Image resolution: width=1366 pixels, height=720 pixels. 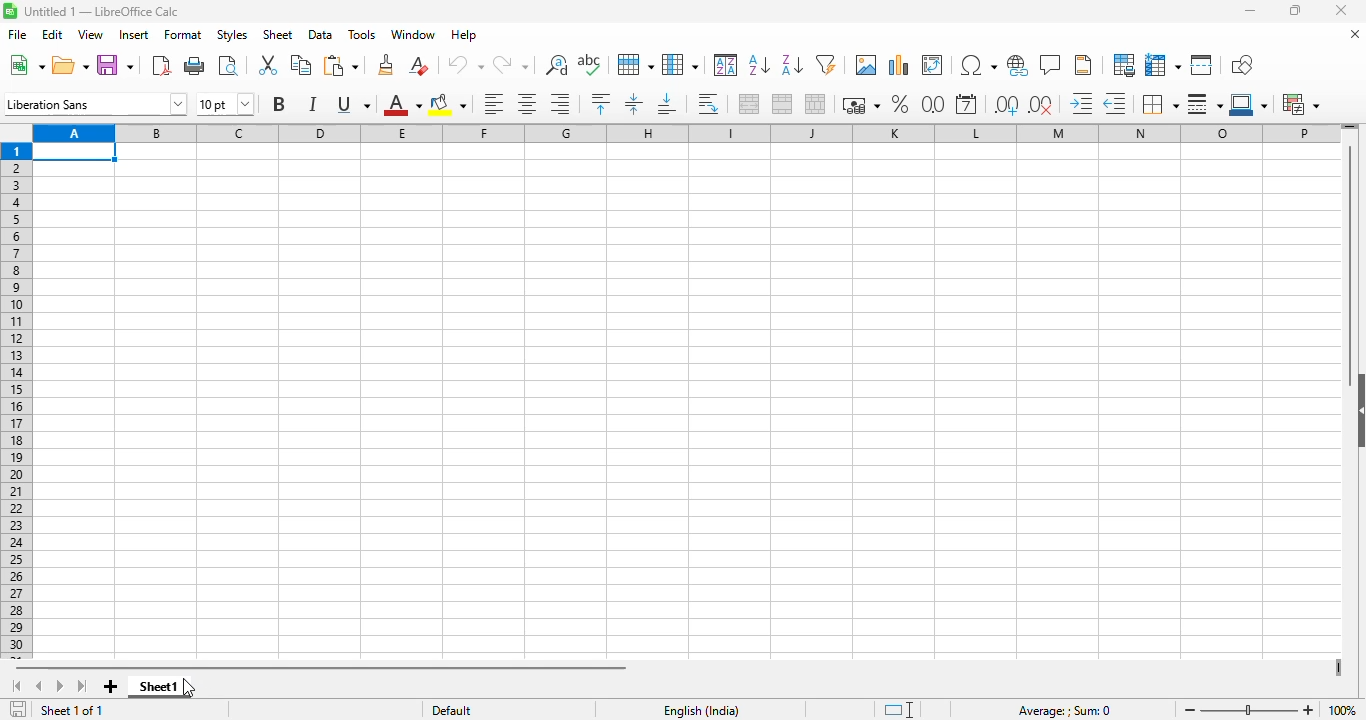 What do you see at coordinates (82, 687) in the screenshot?
I see `scroll to last sheet` at bounding box center [82, 687].